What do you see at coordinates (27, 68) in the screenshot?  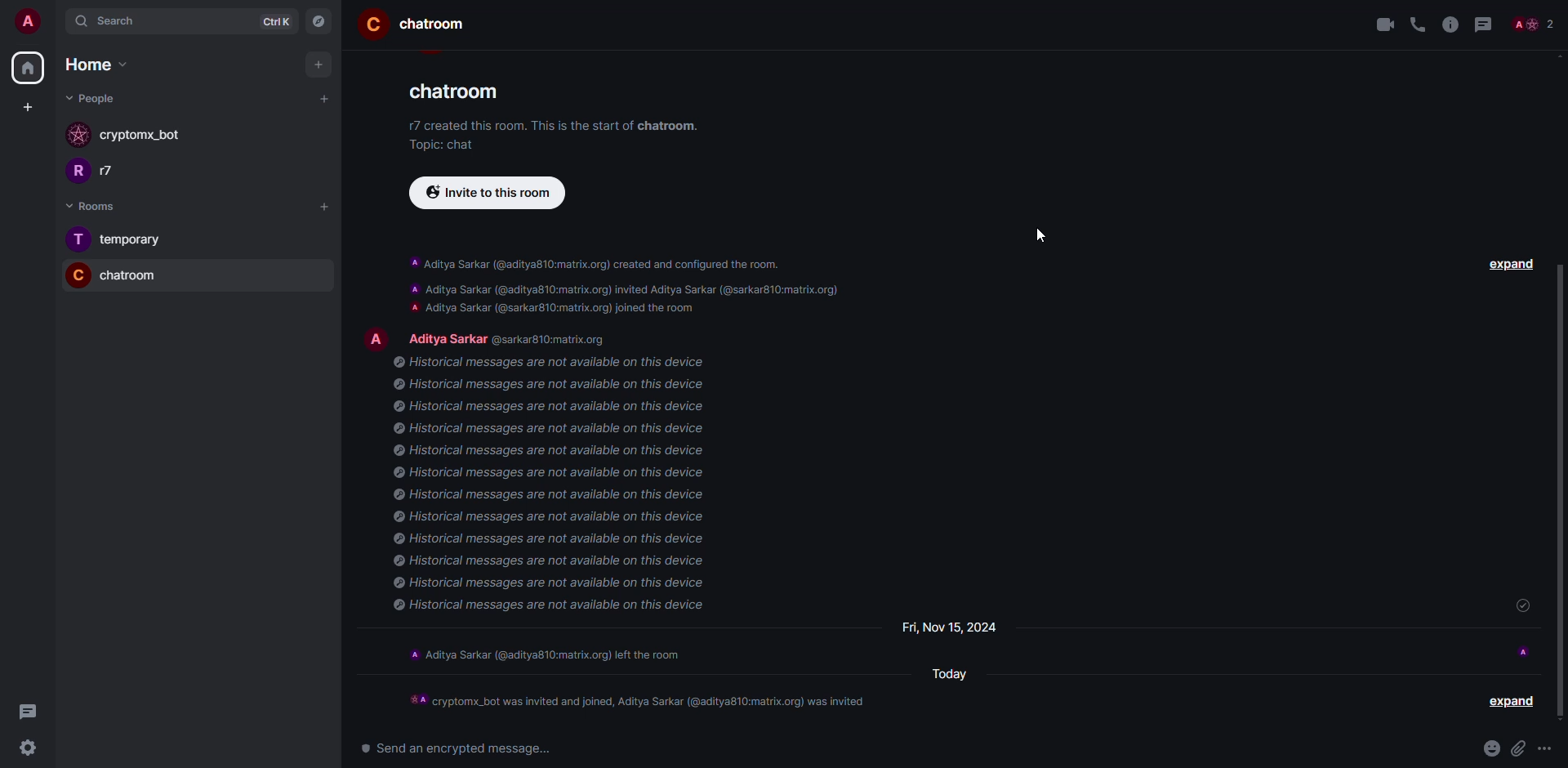 I see `home` at bounding box center [27, 68].